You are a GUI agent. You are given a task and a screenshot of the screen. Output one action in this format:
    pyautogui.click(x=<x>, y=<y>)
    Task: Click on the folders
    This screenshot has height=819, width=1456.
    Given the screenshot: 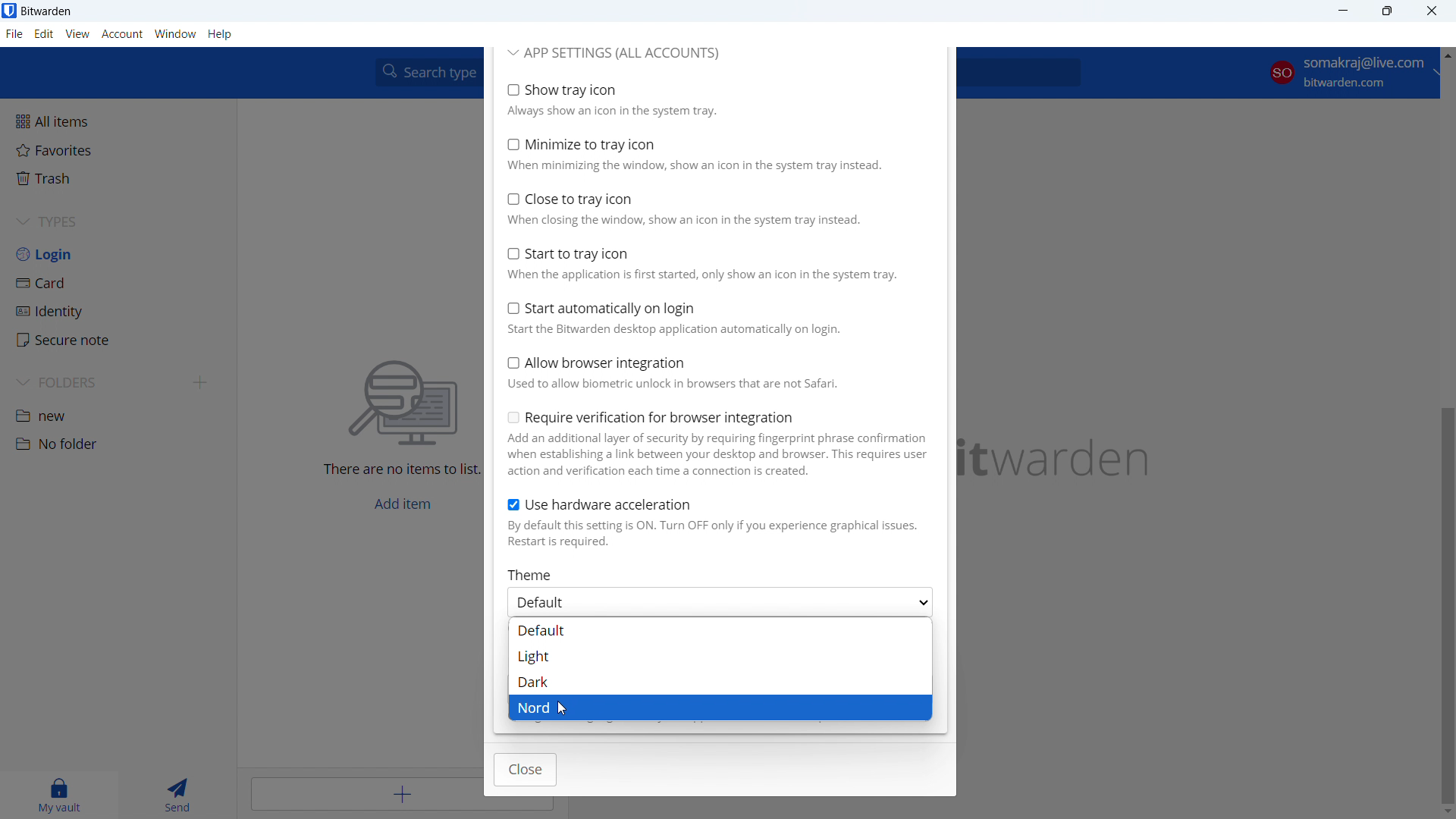 What is the action you would take?
    pyautogui.click(x=96, y=382)
    